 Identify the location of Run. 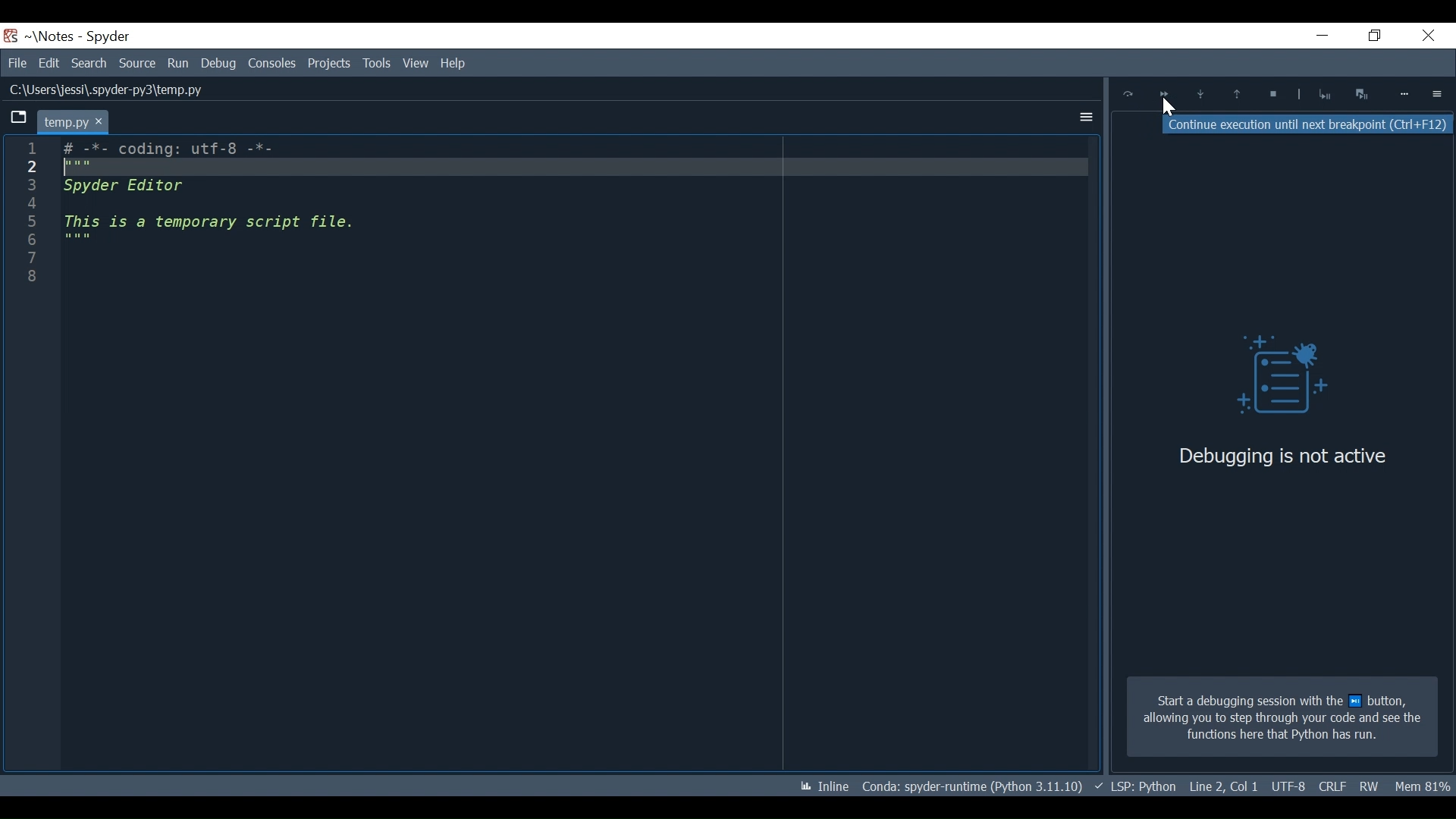
(179, 63).